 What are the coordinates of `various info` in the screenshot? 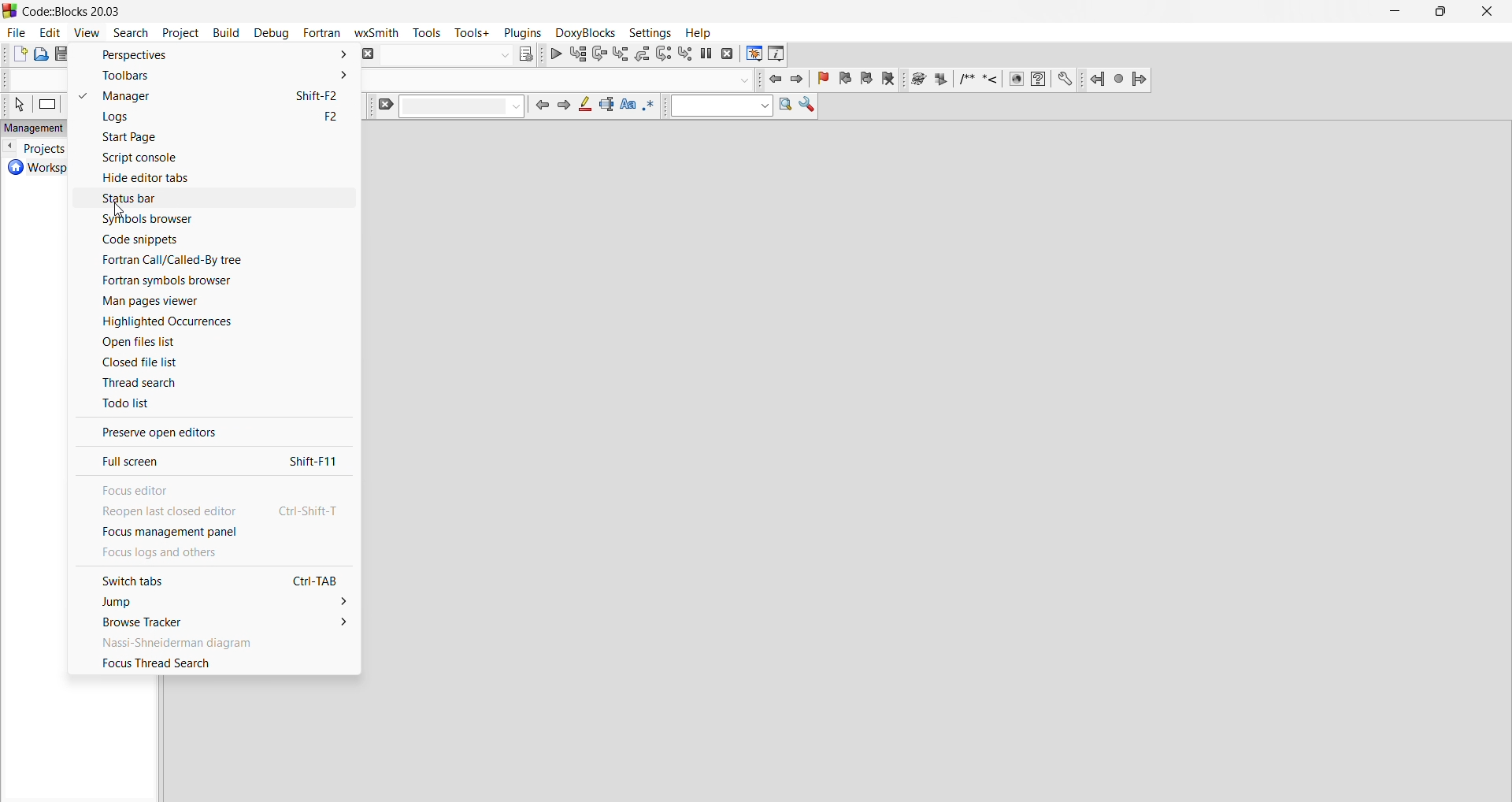 It's located at (776, 55).